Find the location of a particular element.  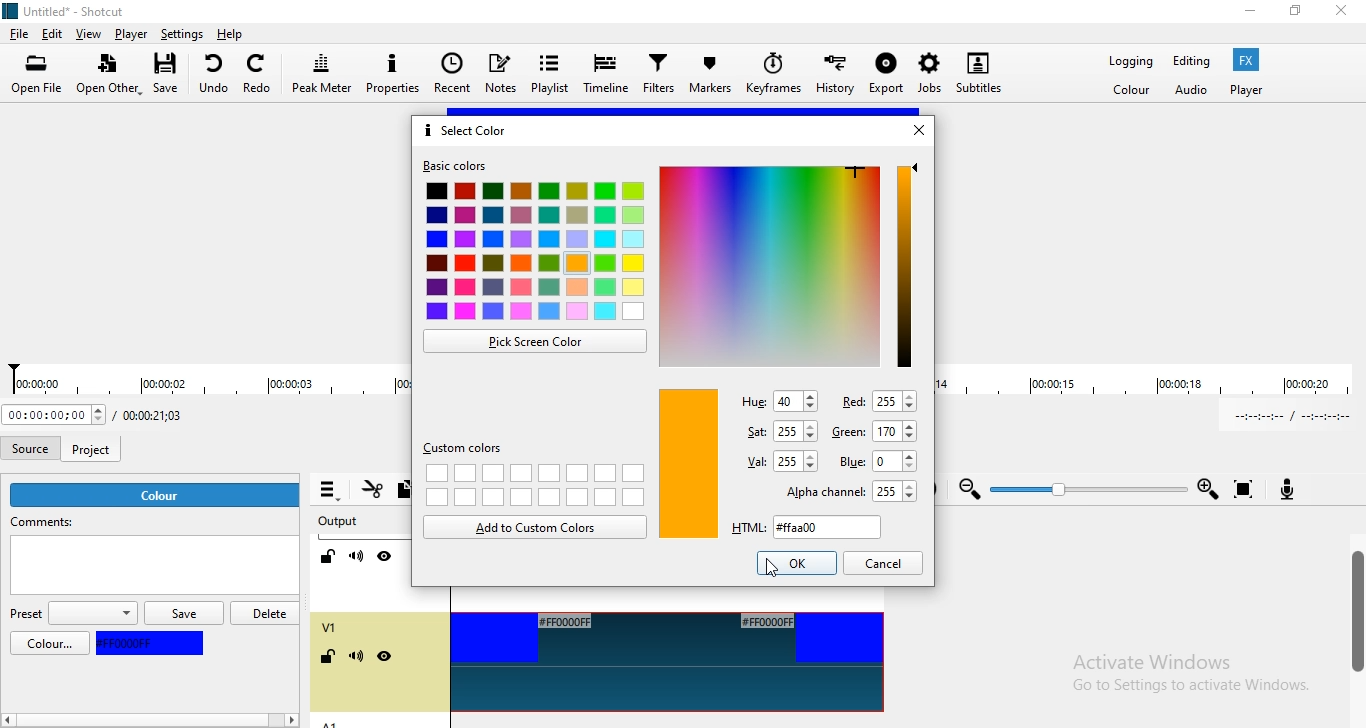

orange is located at coordinates (688, 467).